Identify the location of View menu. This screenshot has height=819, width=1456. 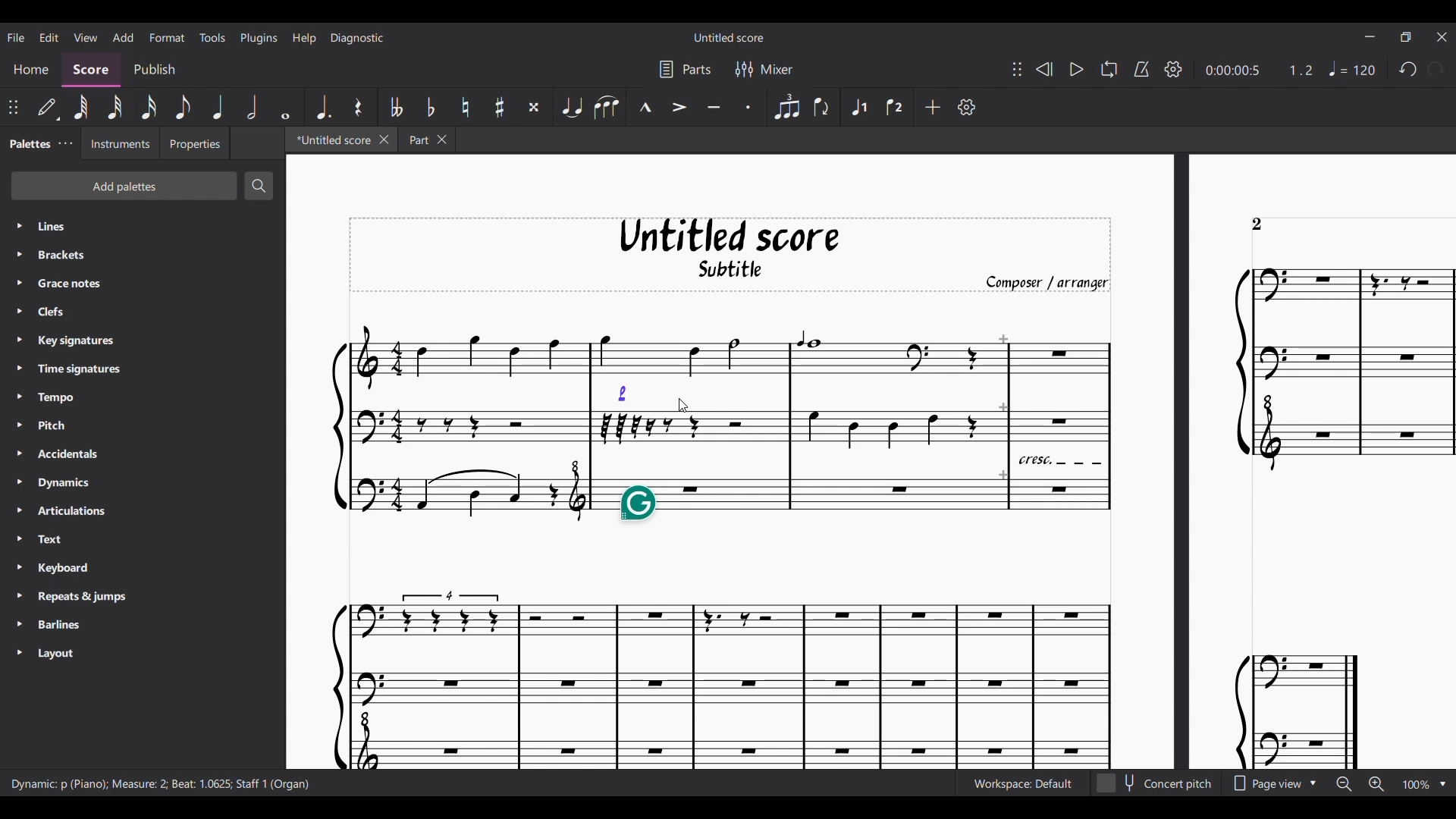
(86, 36).